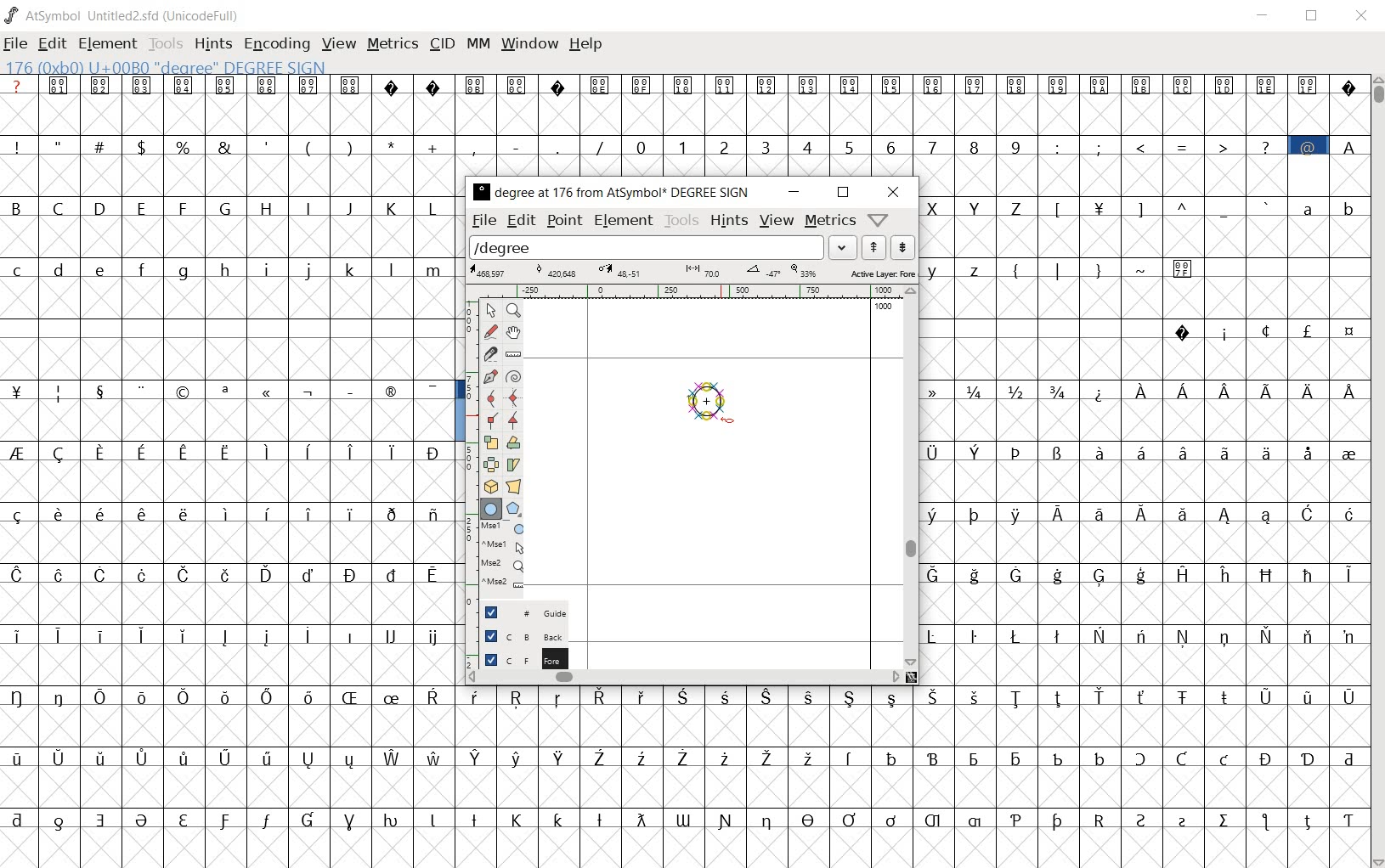  Describe the element at coordinates (878, 219) in the screenshot. I see `help/window` at that location.